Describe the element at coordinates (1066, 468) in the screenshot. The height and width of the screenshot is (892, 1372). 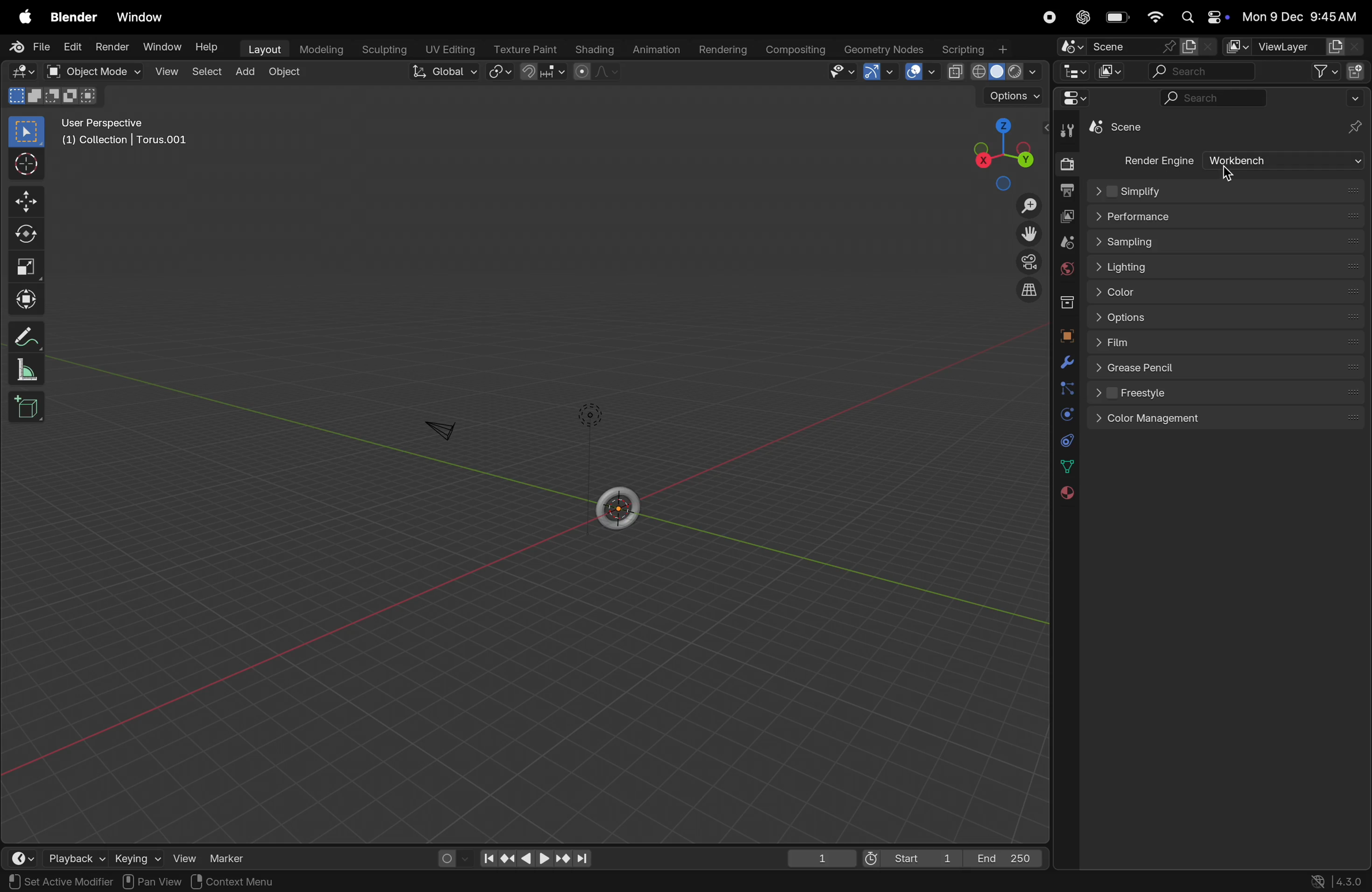
I see `data` at that location.